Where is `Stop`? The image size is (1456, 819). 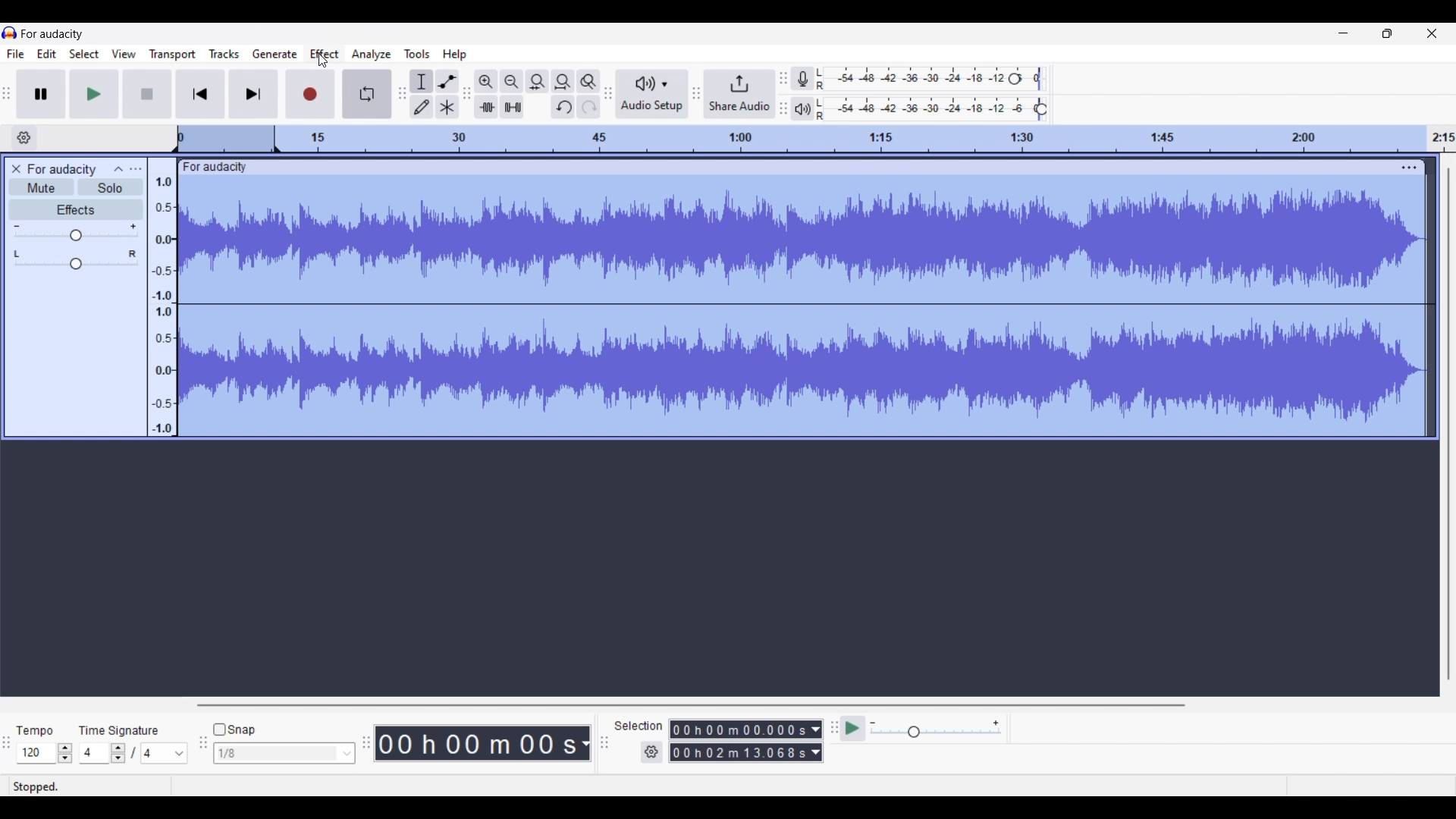
Stop is located at coordinates (147, 93).